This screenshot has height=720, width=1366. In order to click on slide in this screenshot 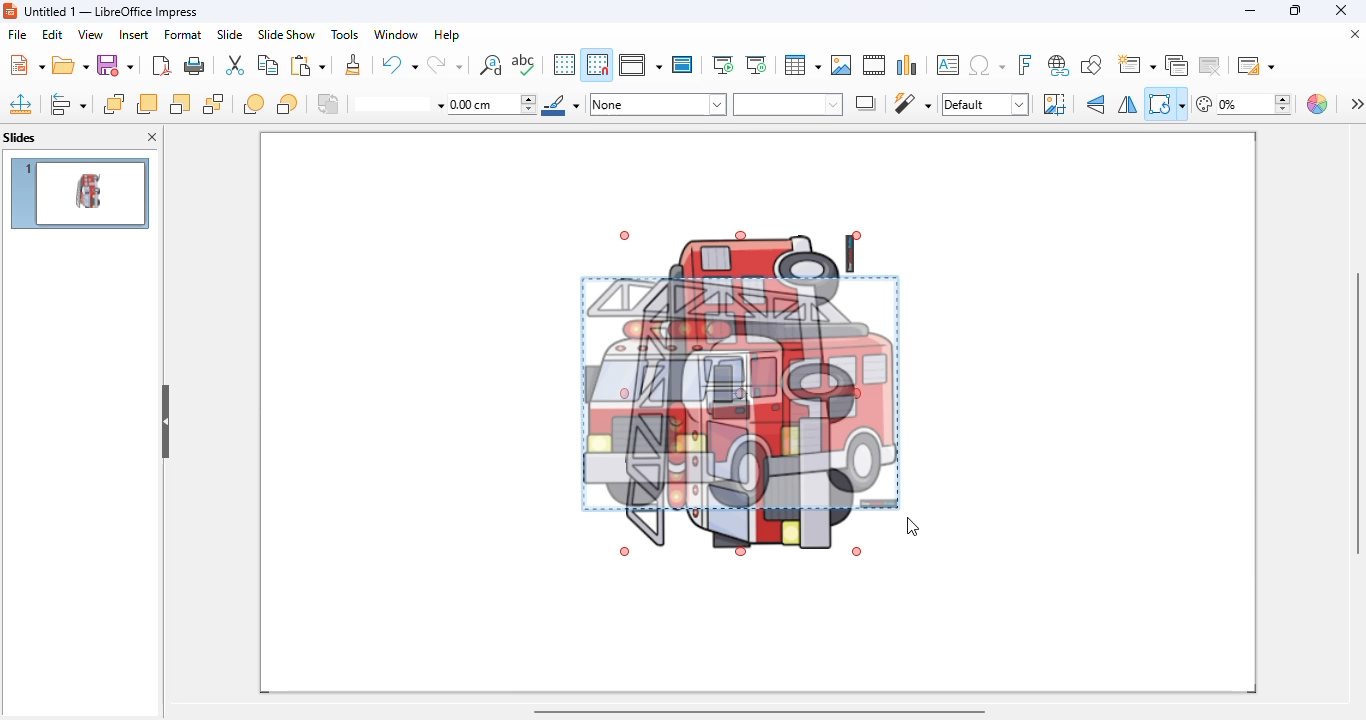, I will do `click(230, 34)`.